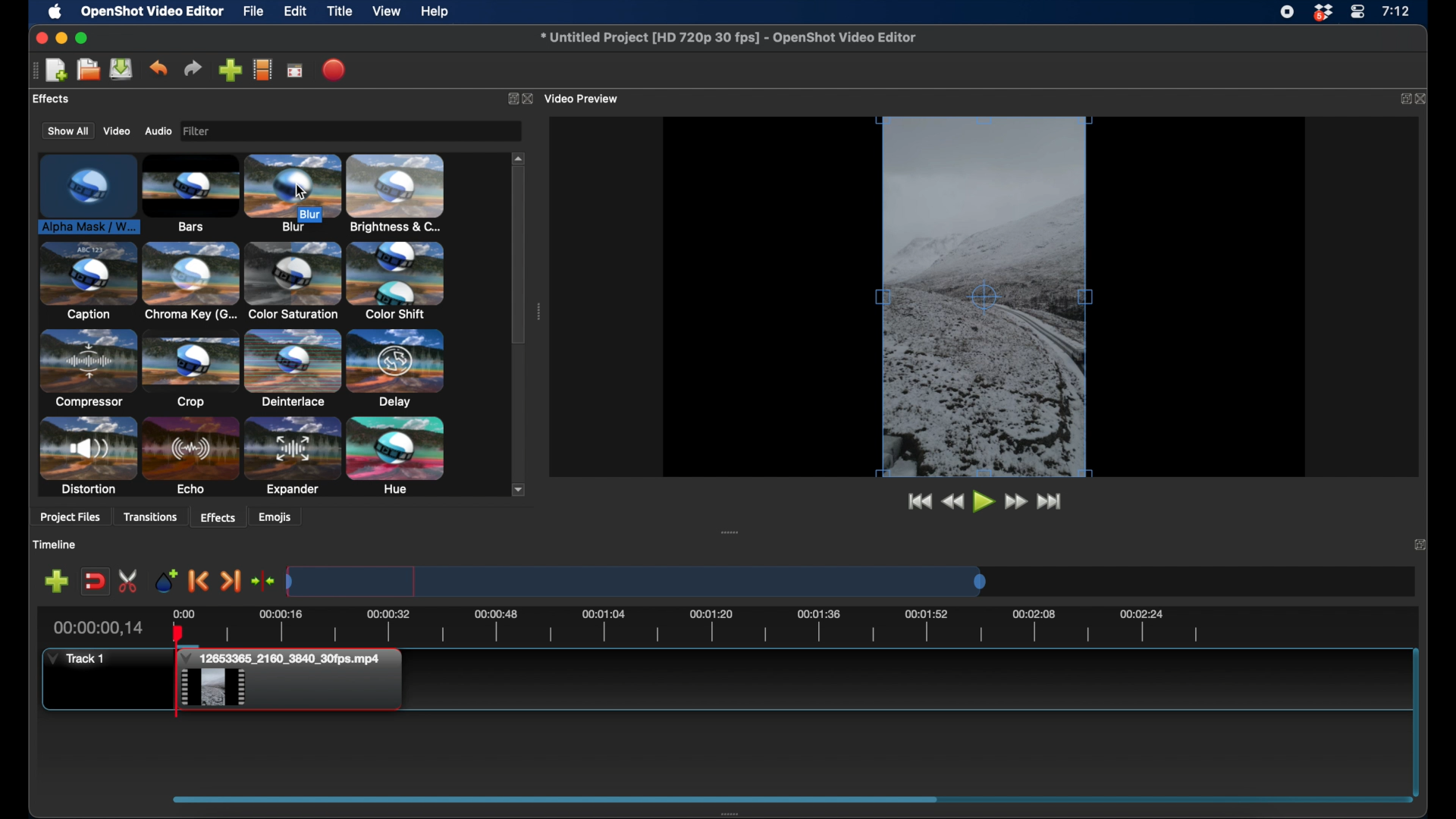 Image resolution: width=1456 pixels, height=819 pixels. I want to click on export video, so click(336, 70).